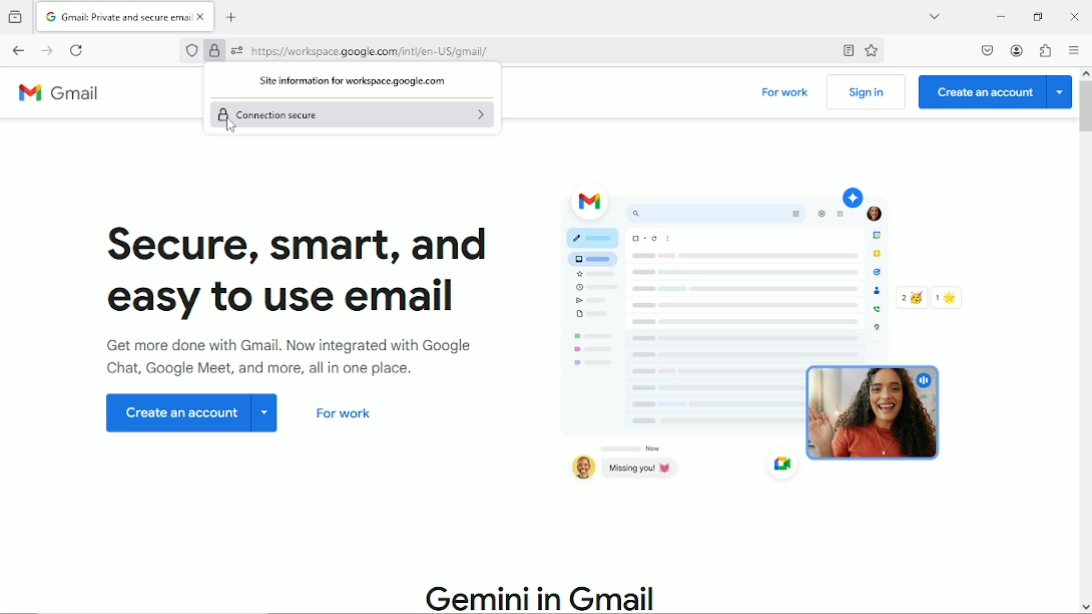 This screenshot has width=1092, height=614. I want to click on Reload current page, so click(77, 50).